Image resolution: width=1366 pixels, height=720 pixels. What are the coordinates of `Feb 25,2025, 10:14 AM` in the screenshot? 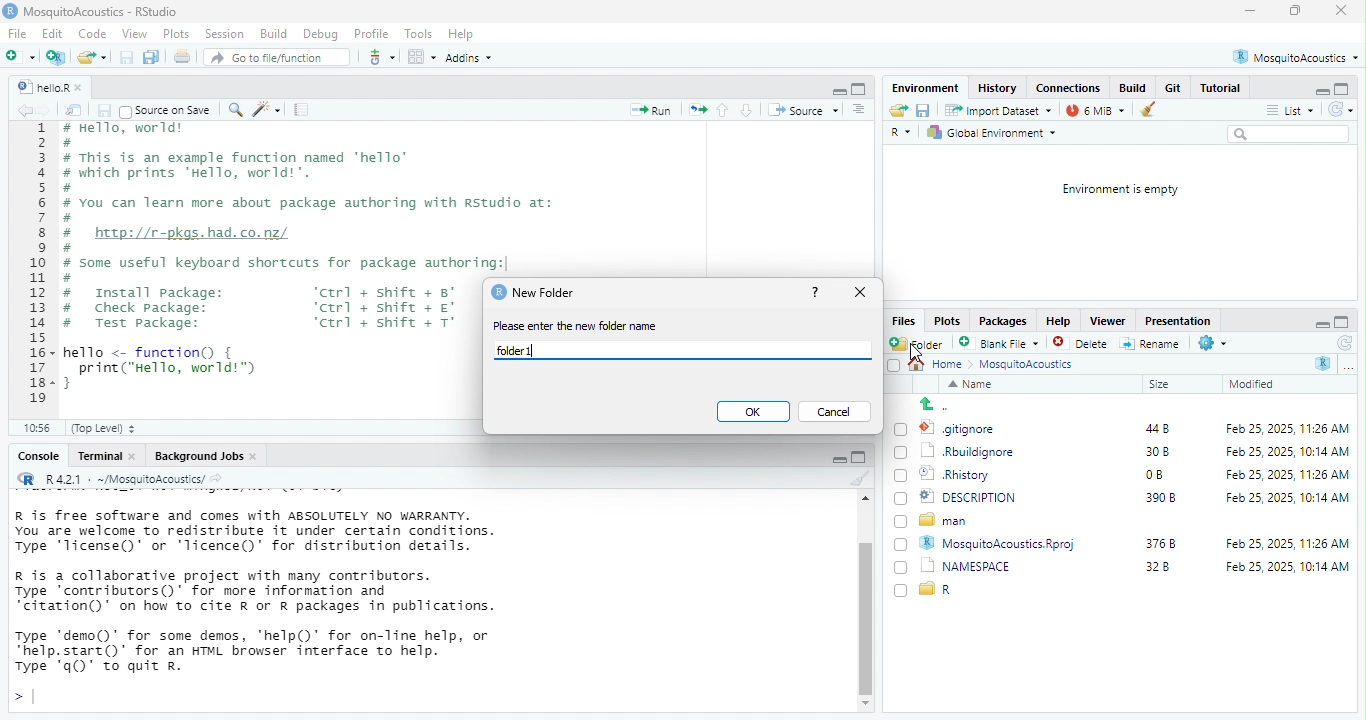 It's located at (1289, 570).